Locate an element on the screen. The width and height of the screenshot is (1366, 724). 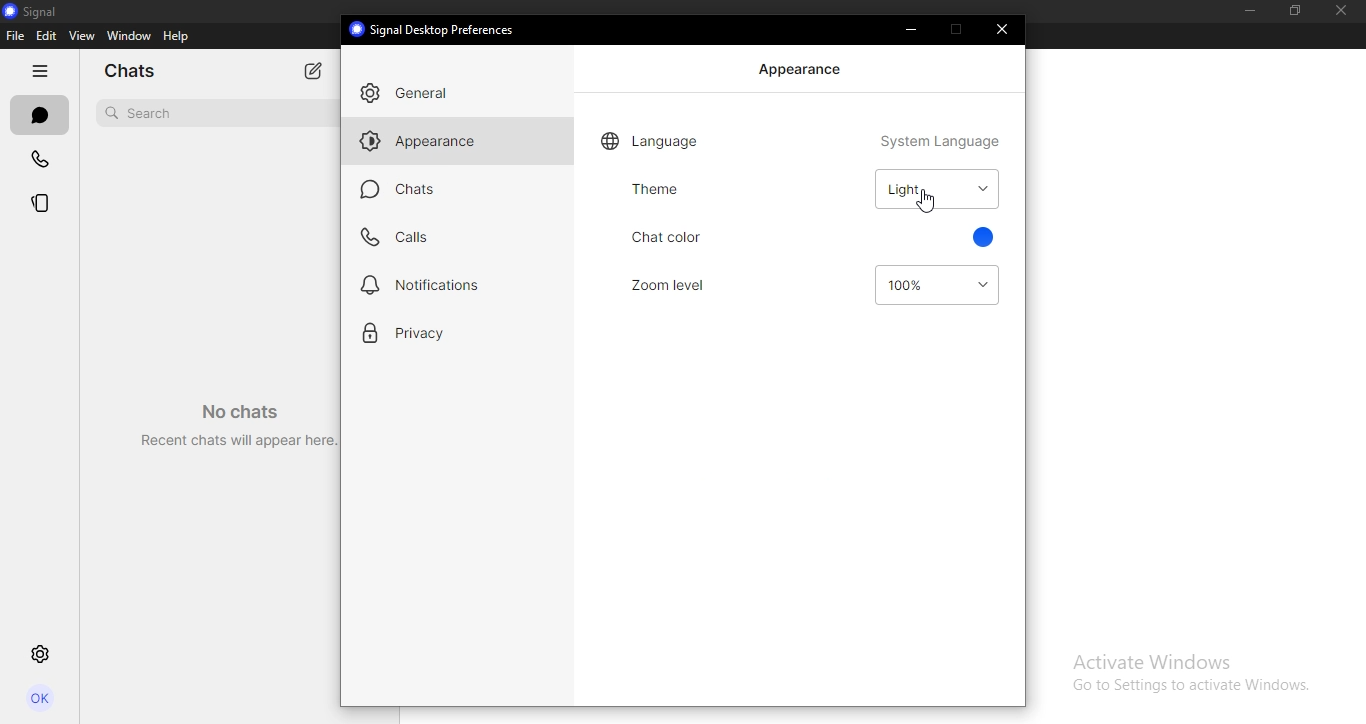
close is located at coordinates (1346, 12).